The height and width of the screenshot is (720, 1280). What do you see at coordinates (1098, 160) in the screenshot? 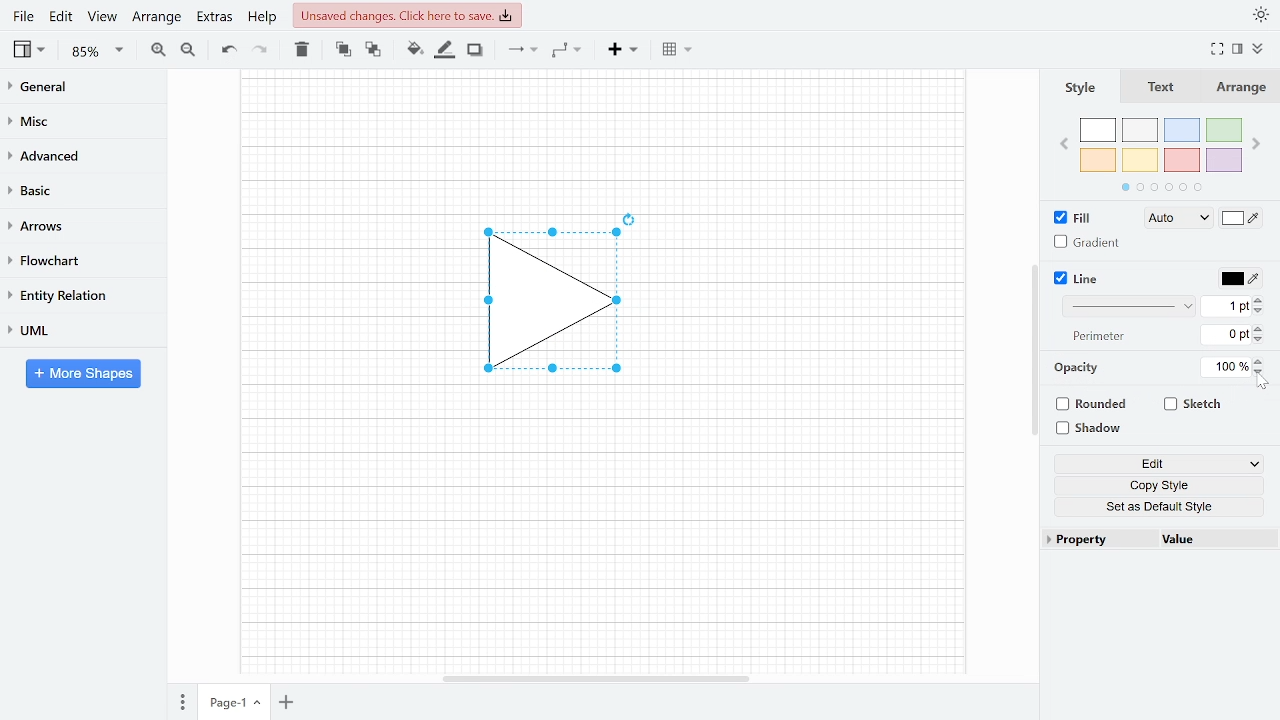
I see `orange` at bounding box center [1098, 160].